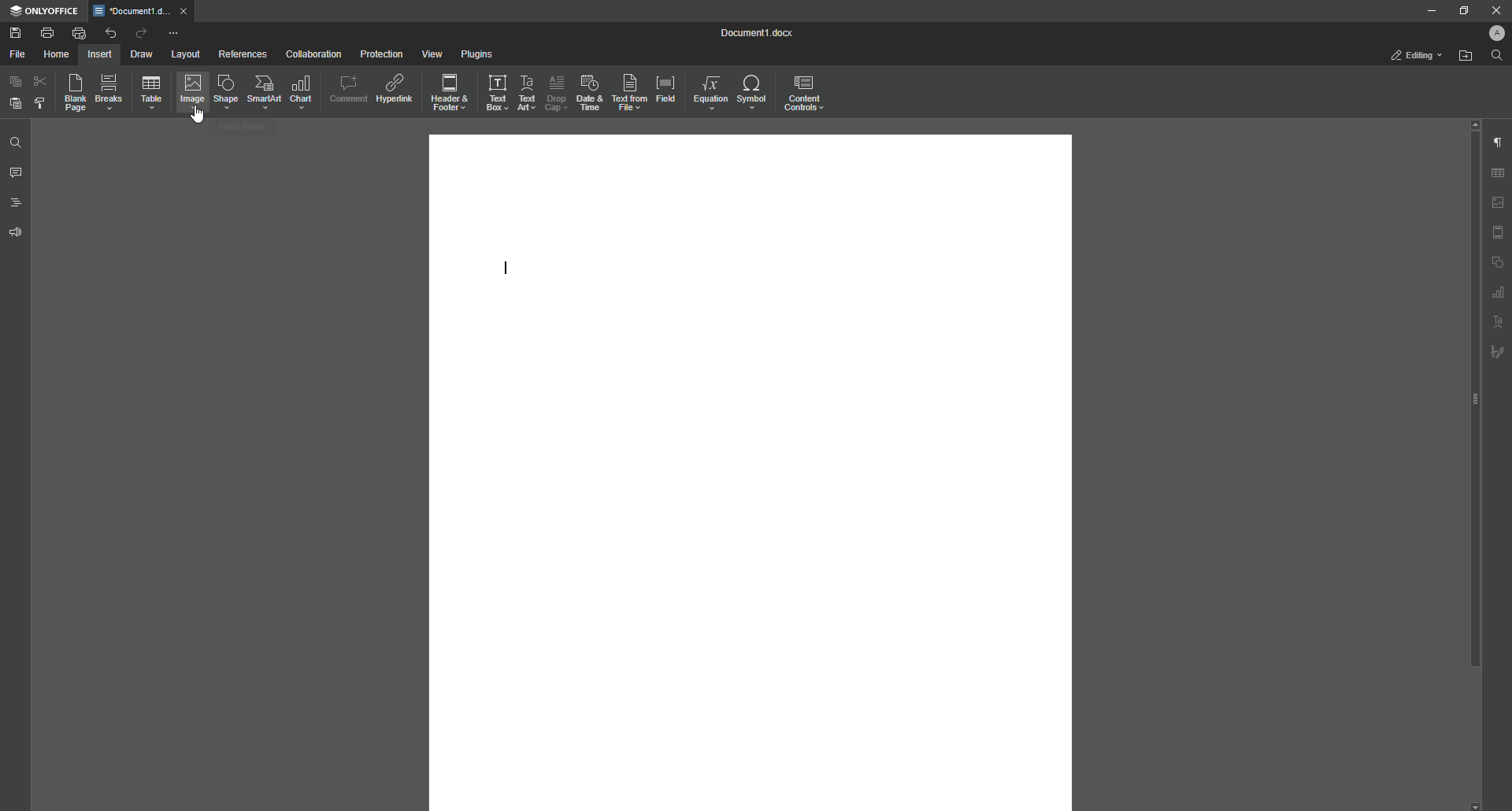  What do you see at coordinates (44, 9) in the screenshot?
I see `ONLYOFFICE` at bounding box center [44, 9].